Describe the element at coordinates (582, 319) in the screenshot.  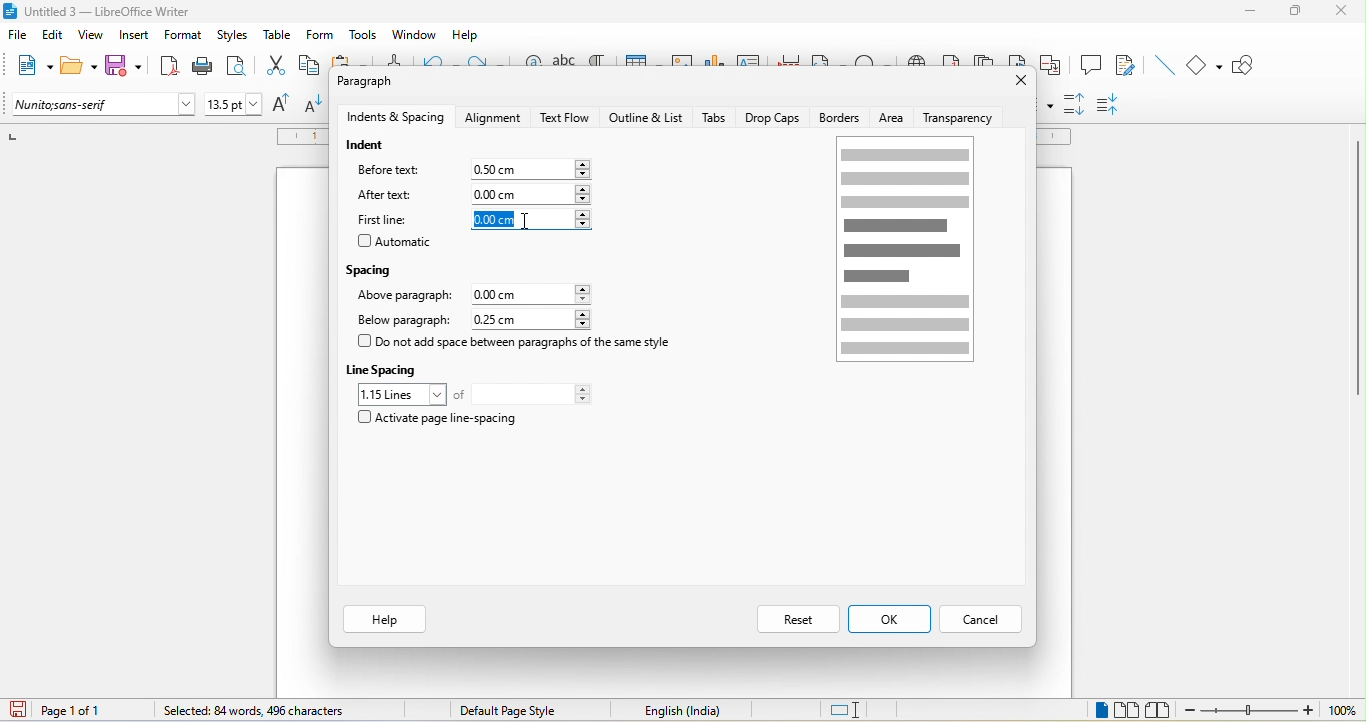
I see `increase or decrease` at that location.